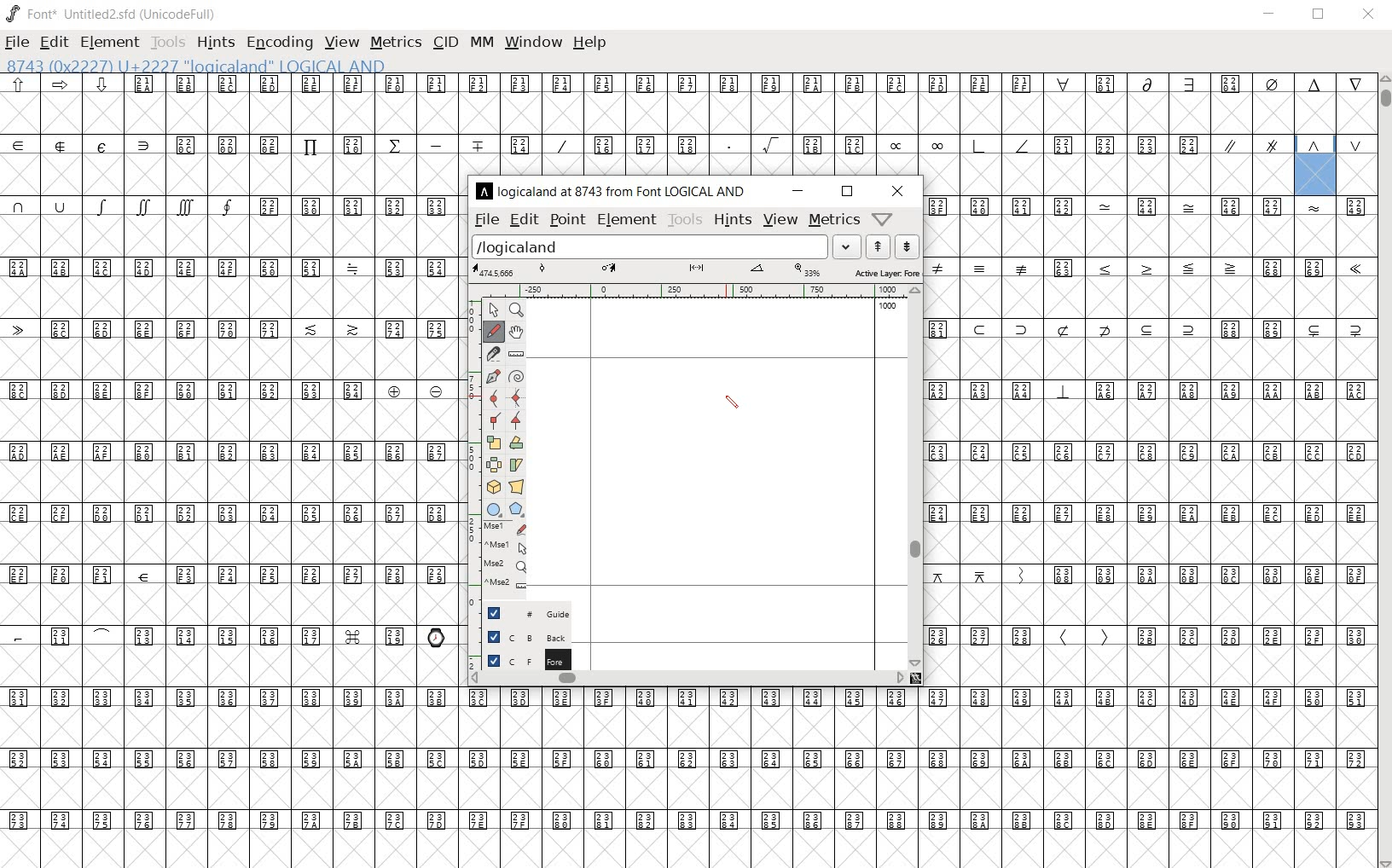 This screenshot has width=1392, height=868. I want to click on tools, so click(684, 219).